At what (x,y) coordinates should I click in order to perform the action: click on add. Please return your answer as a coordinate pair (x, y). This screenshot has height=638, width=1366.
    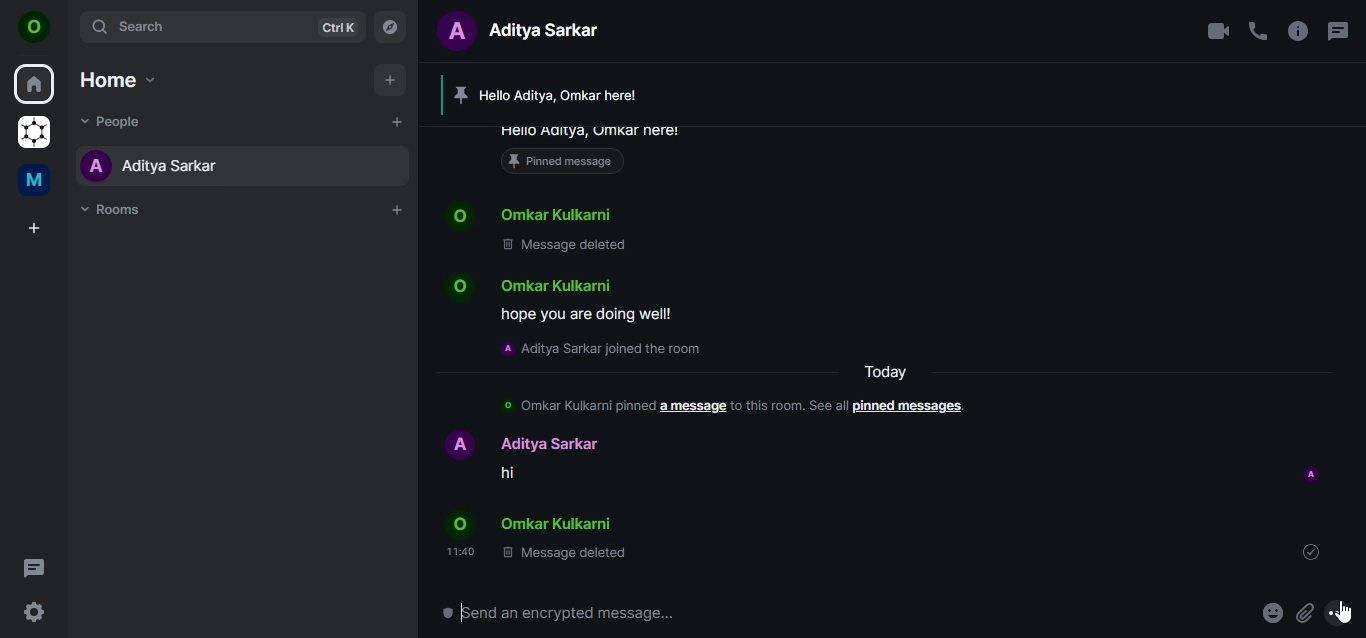
    Looking at the image, I should click on (388, 80).